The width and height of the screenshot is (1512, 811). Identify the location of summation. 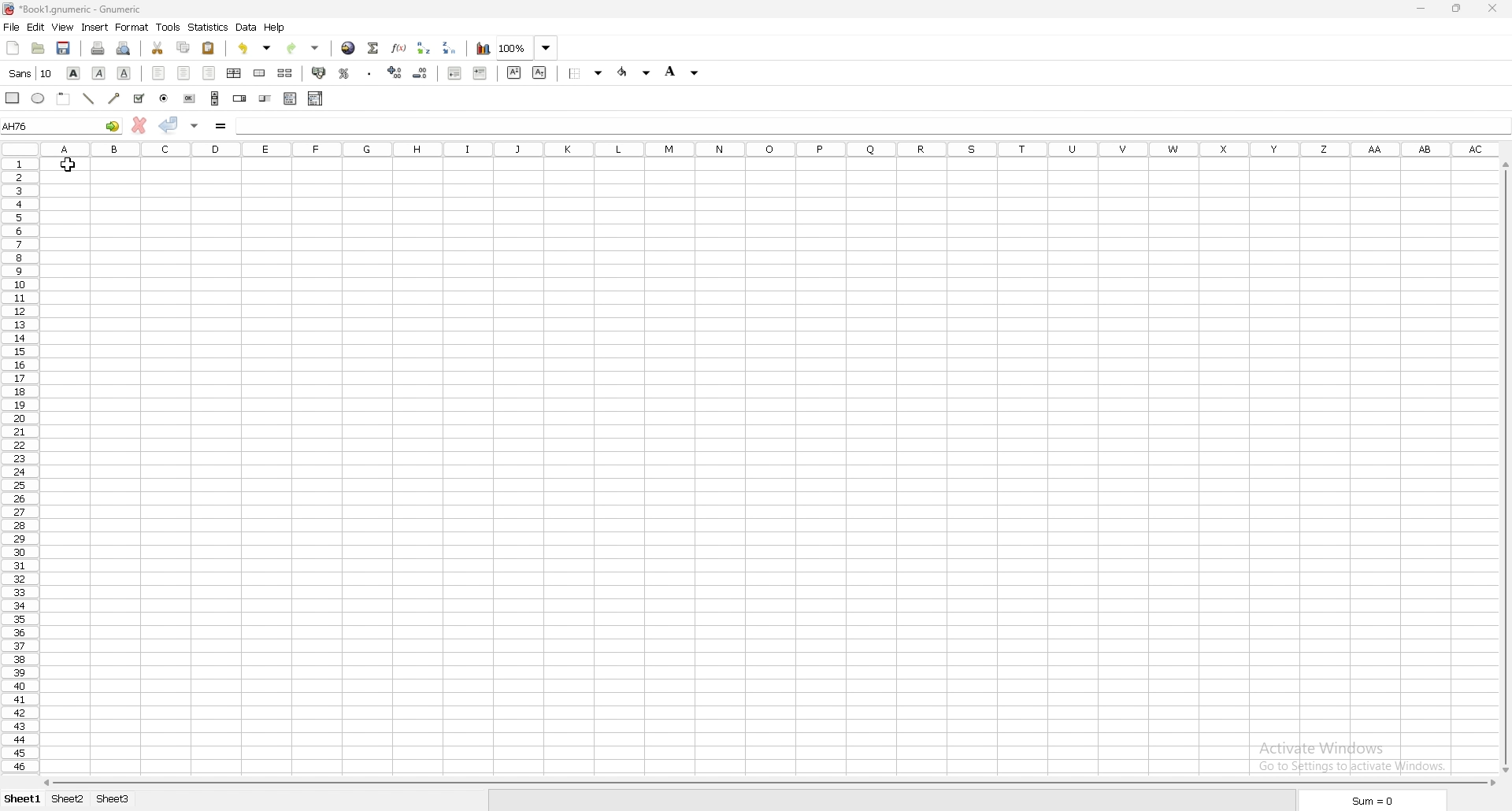
(372, 48).